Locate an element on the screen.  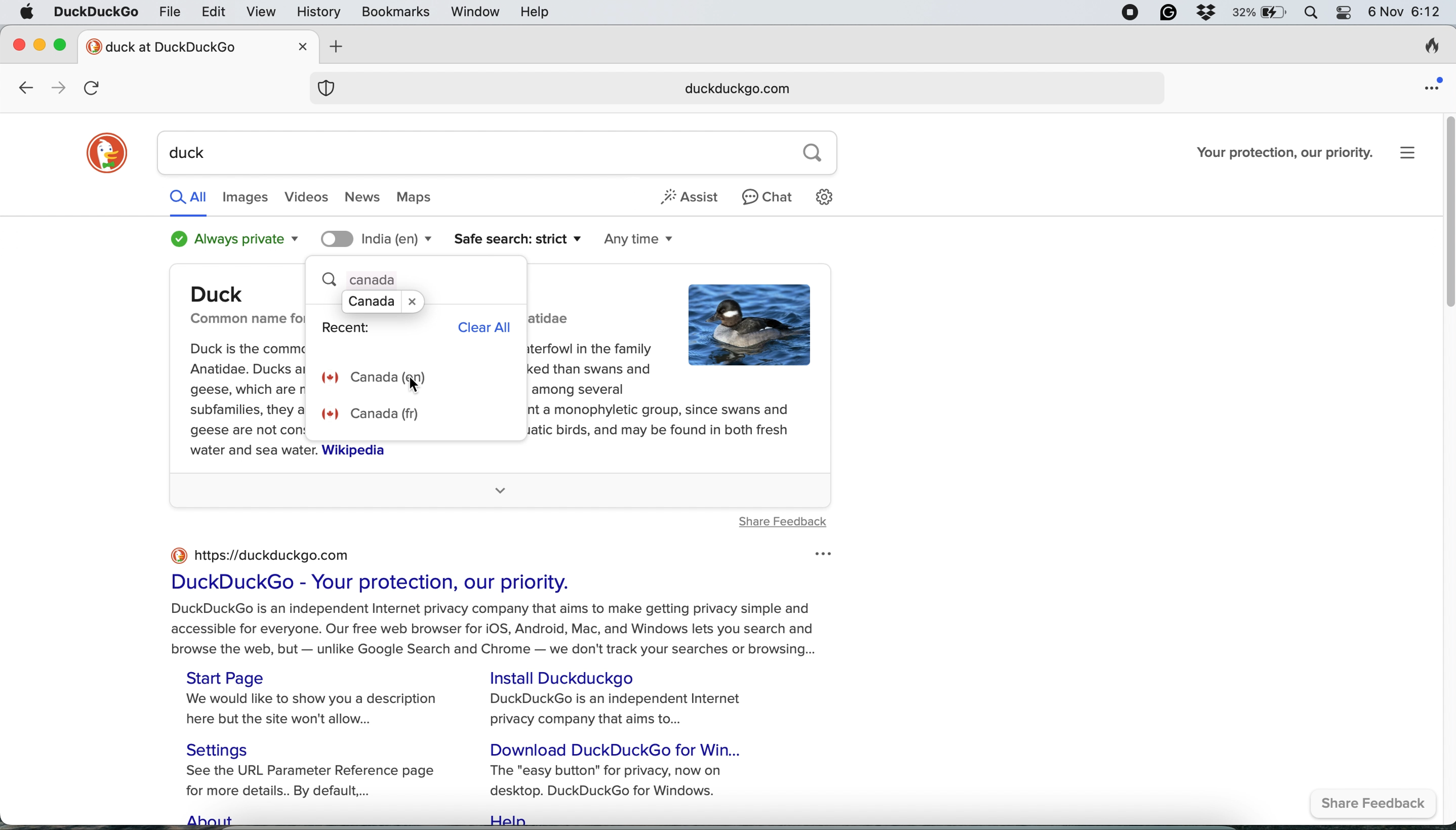
any time is located at coordinates (641, 241).